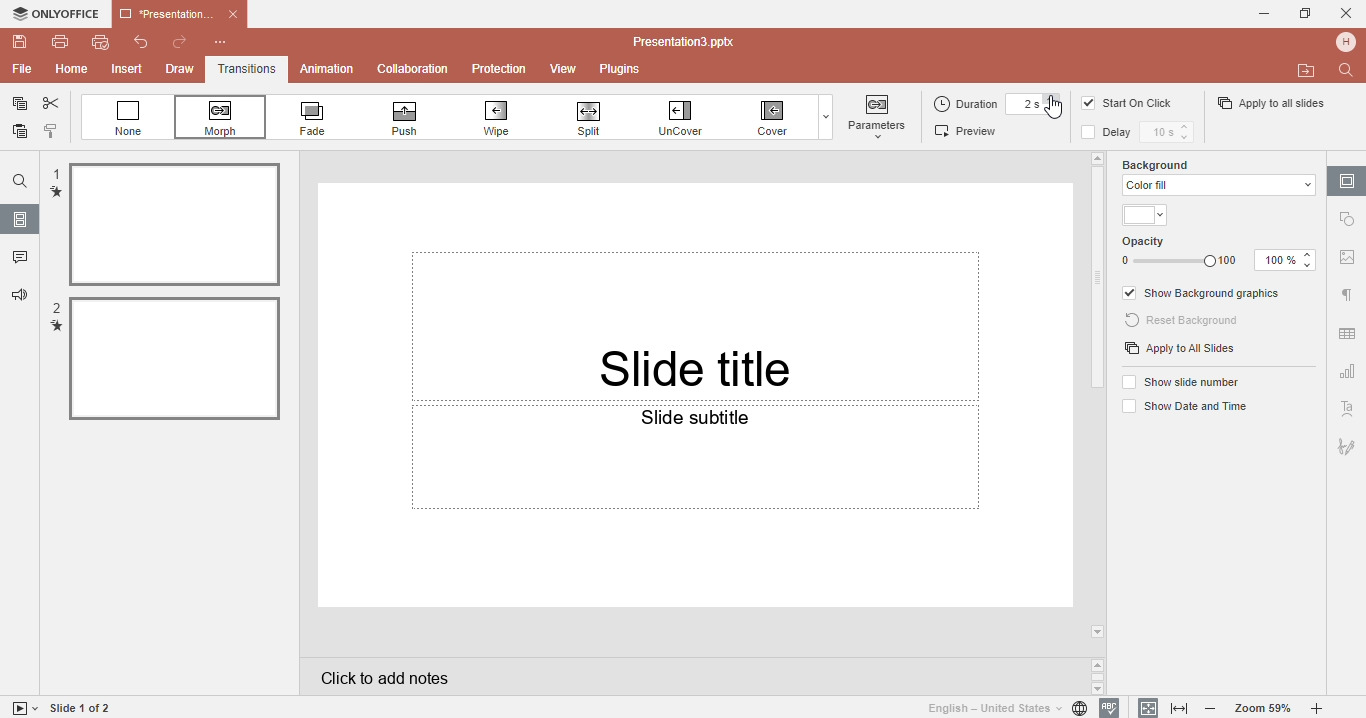 This screenshot has width=1366, height=718. Describe the element at coordinates (21, 708) in the screenshot. I see `Start slide show` at that location.